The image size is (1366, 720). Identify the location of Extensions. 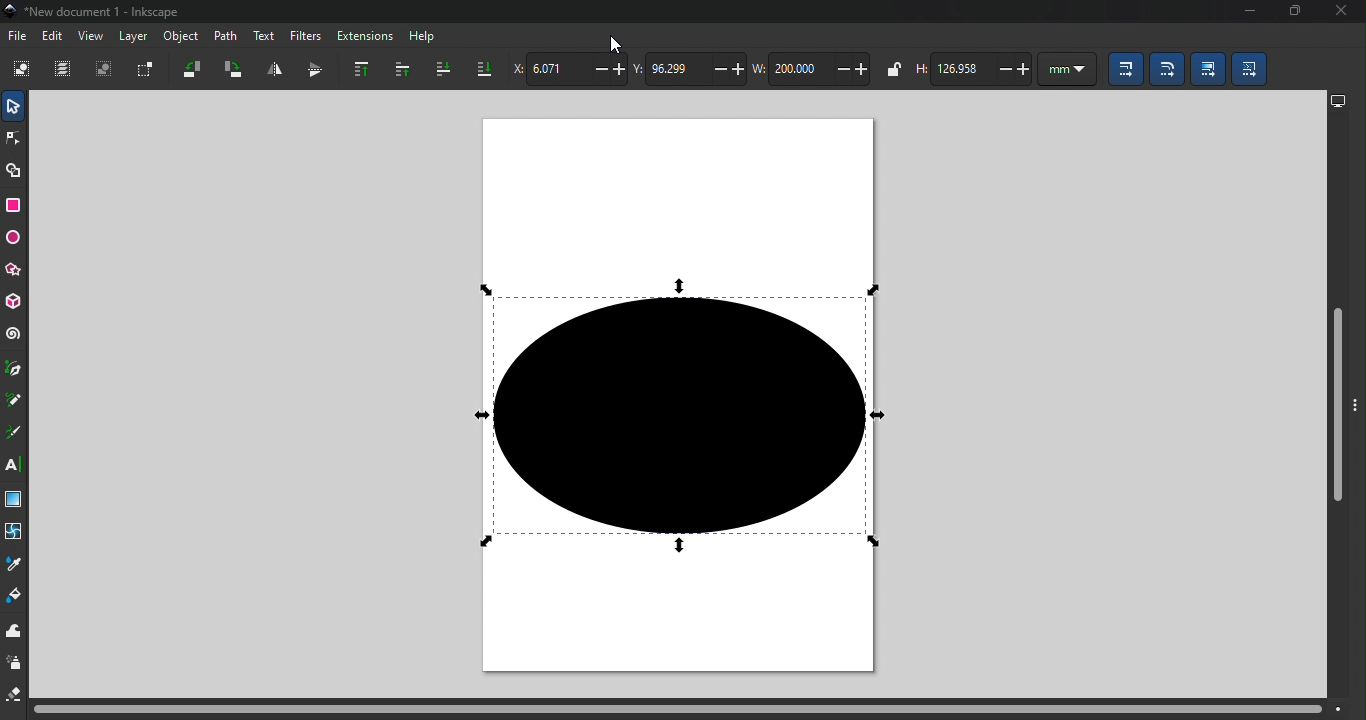
(365, 36).